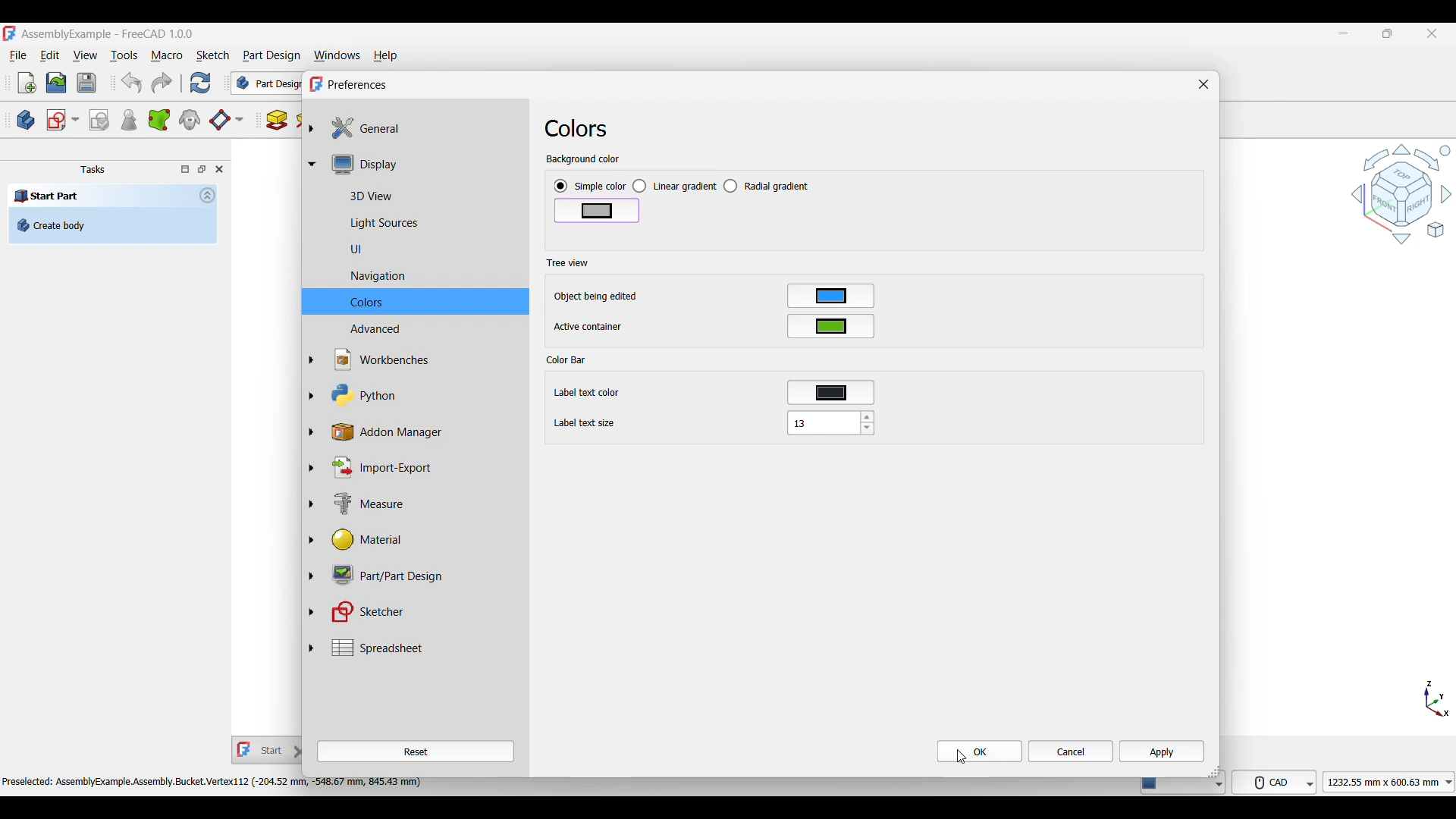 The height and width of the screenshot is (819, 1456). What do you see at coordinates (159, 120) in the screenshot?
I see `Create a sub-object shape binder` at bounding box center [159, 120].